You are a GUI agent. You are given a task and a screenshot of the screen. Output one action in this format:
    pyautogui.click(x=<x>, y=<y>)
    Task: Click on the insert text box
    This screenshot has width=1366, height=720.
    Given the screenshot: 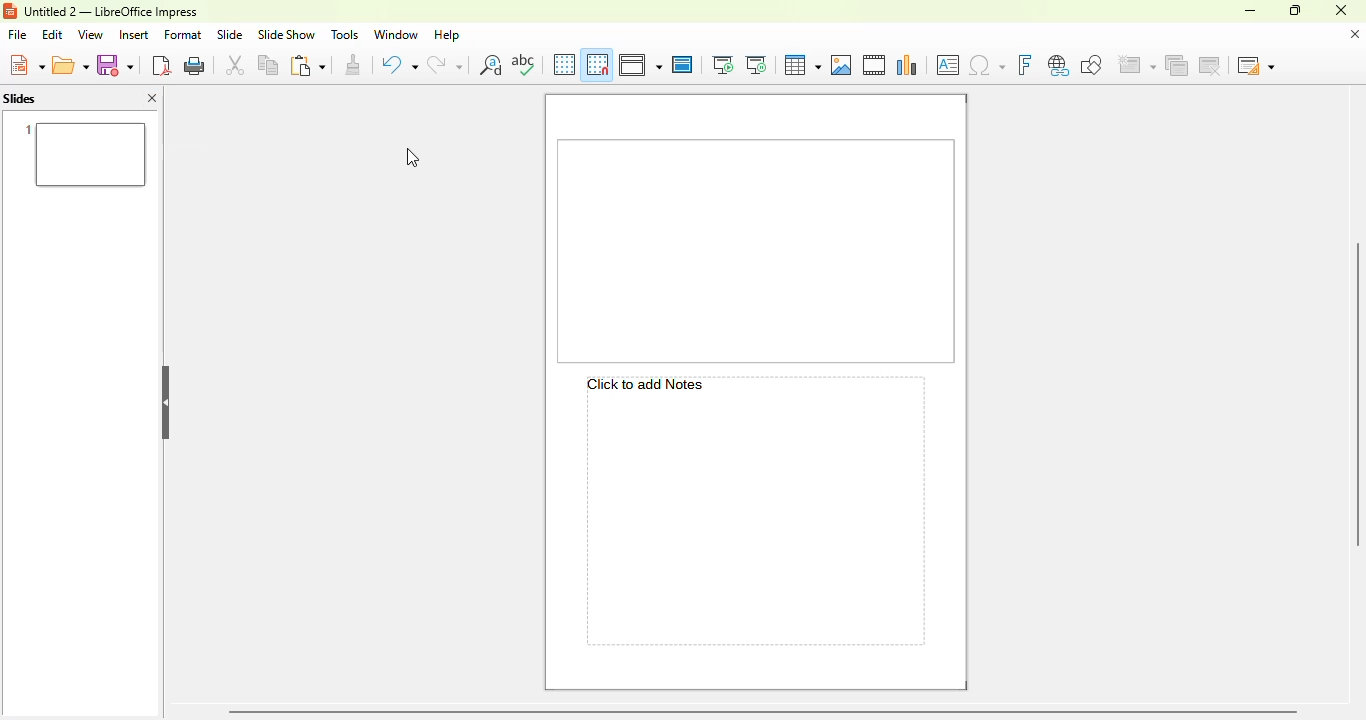 What is the action you would take?
    pyautogui.click(x=948, y=65)
    